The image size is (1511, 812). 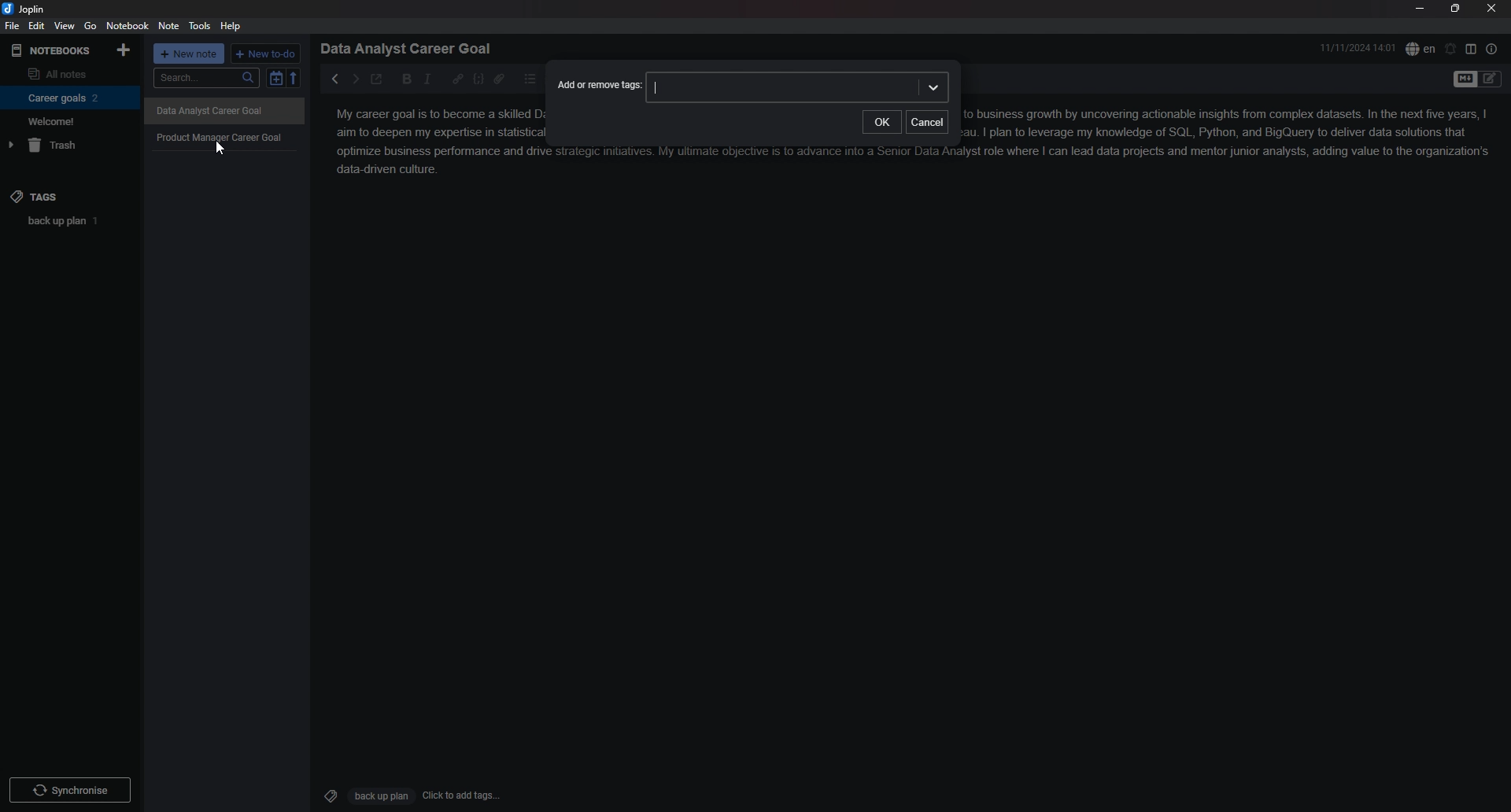 What do you see at coordinates (1491, 8) in the screenshot?
I see `close` at bounding box center [1491, 8].